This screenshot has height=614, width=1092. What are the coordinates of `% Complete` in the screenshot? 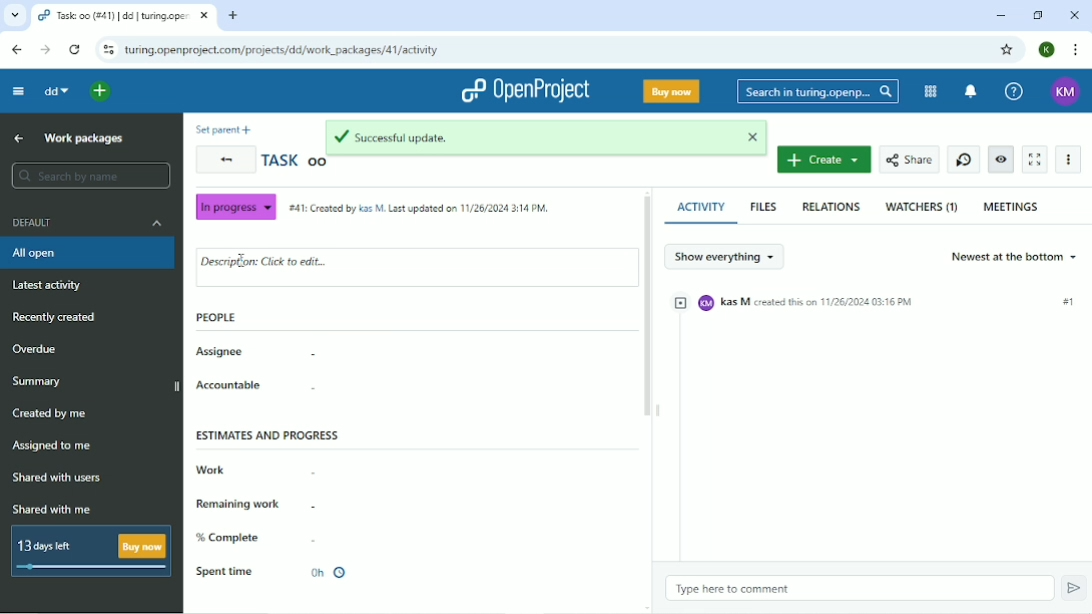 It's located at (229, 538).